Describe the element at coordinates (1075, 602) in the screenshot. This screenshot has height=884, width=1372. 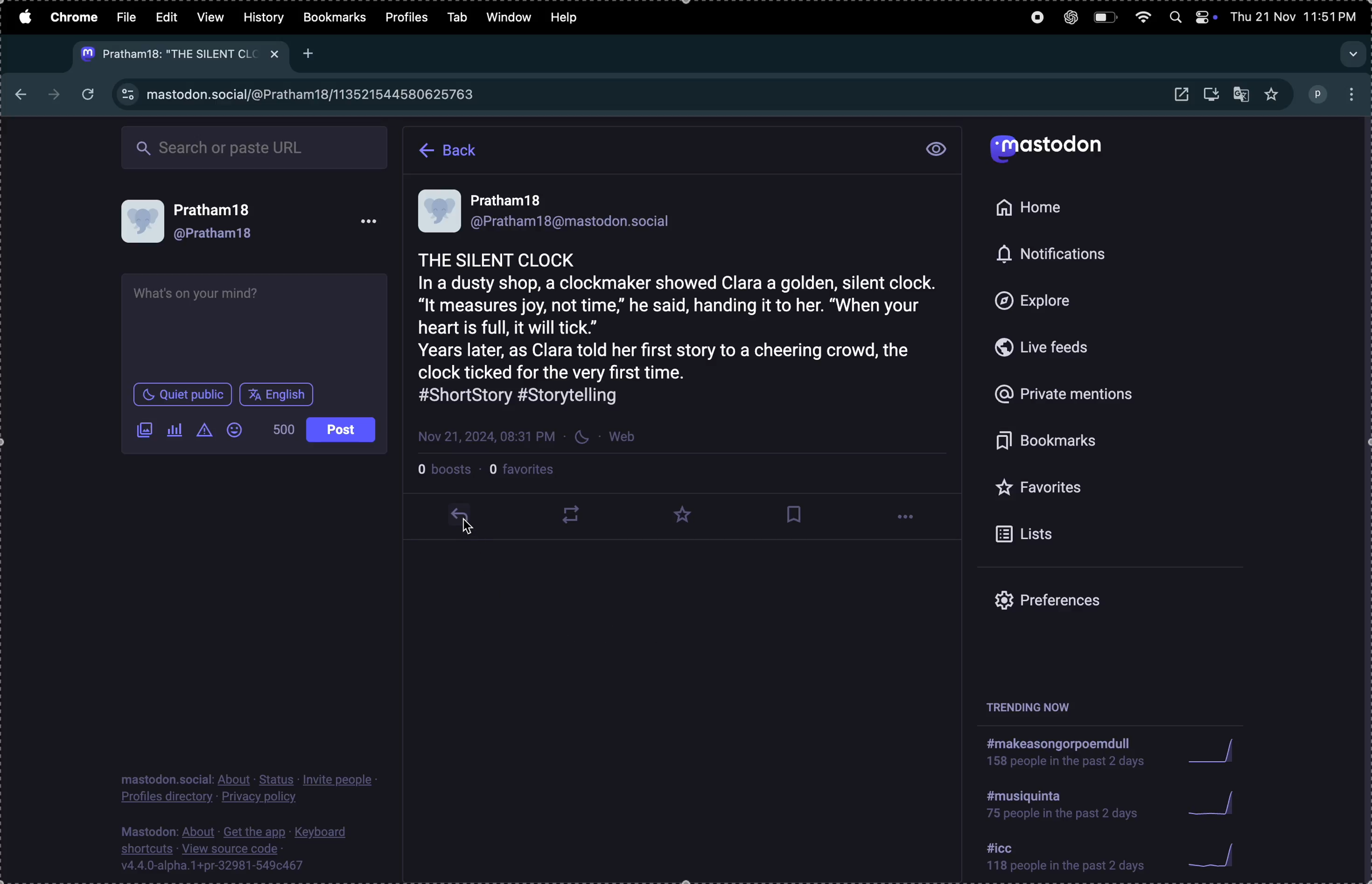
I see `preferences` at that location.